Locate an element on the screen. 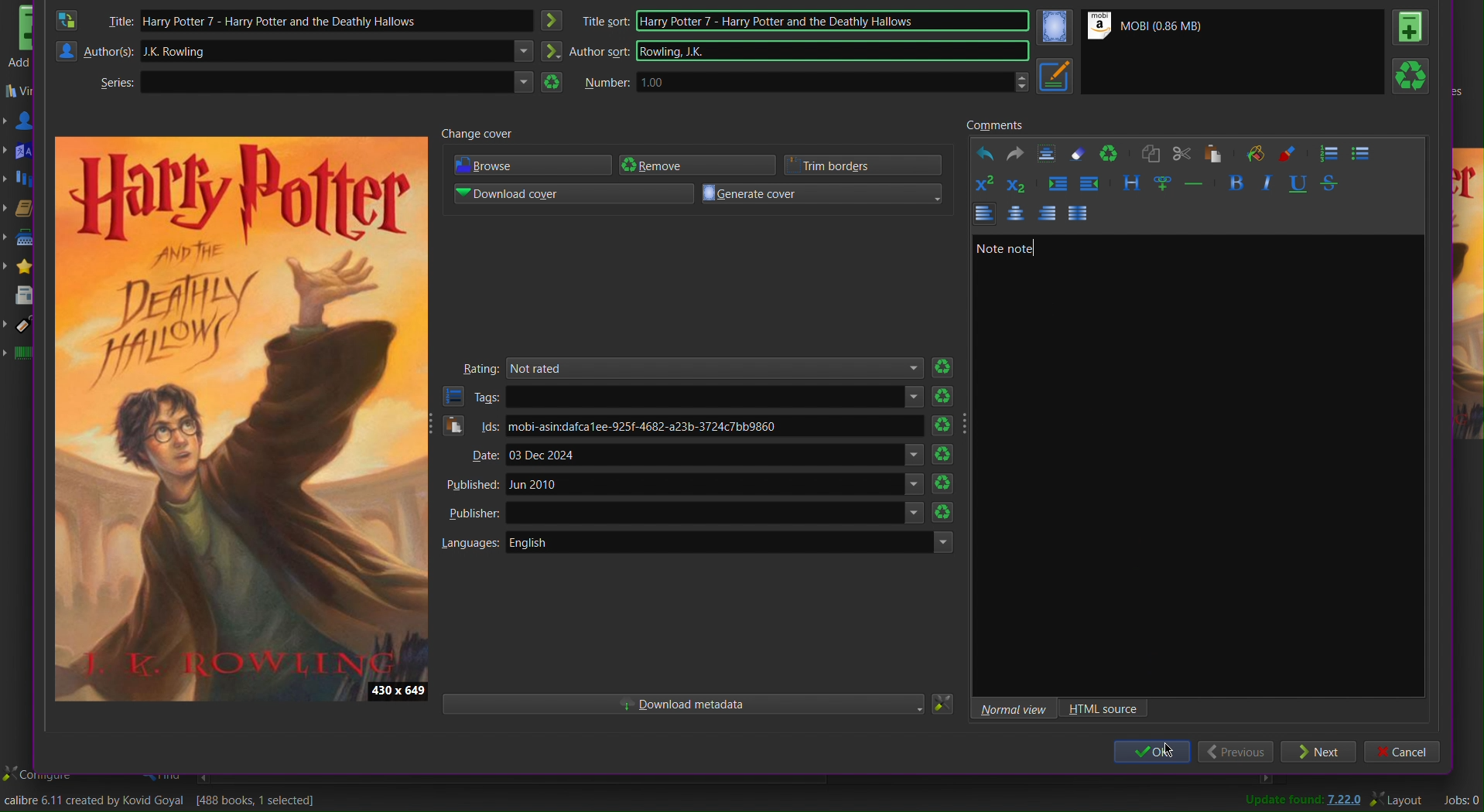  English is located at coordinates (730, 542).